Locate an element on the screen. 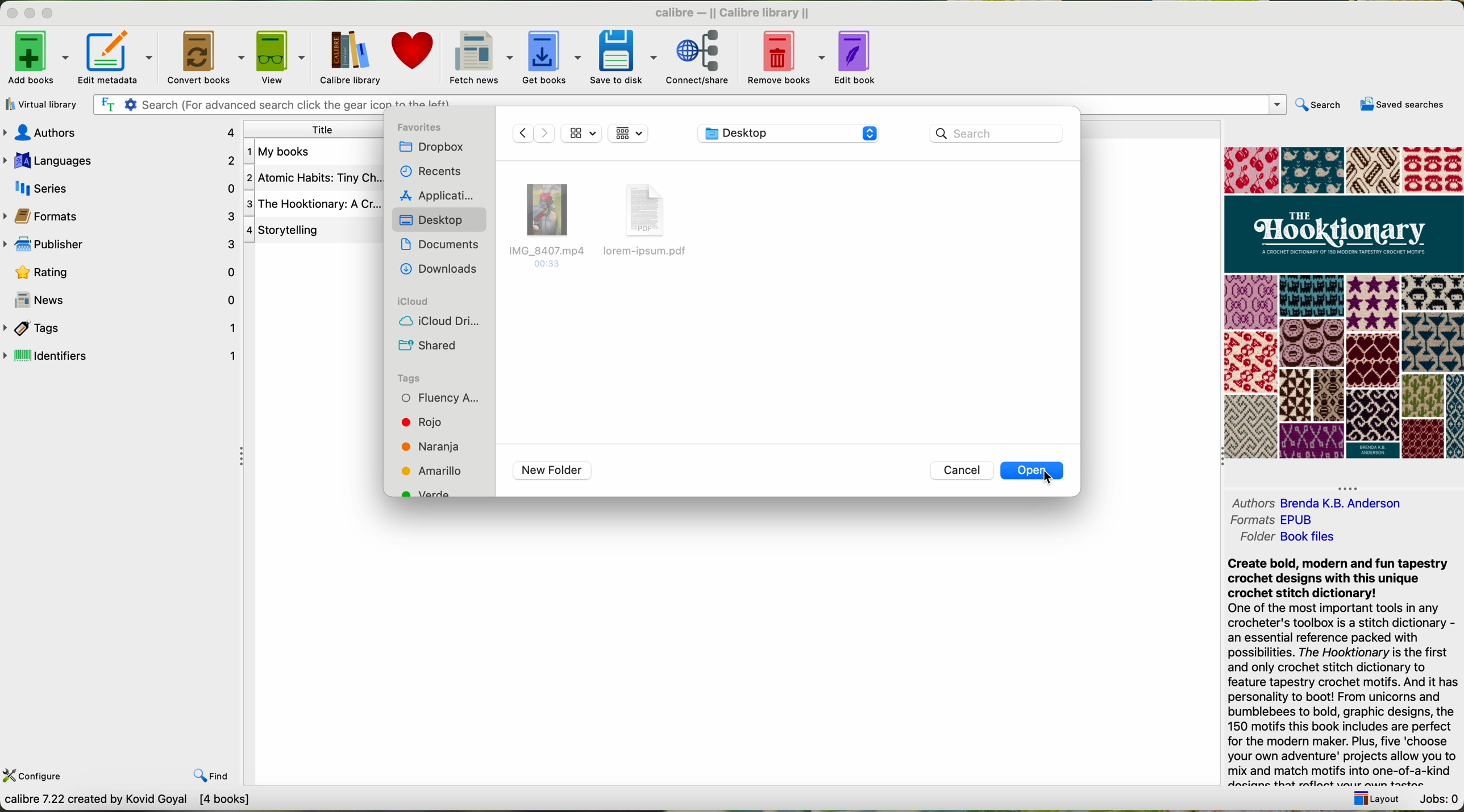  desktop is located at coordinates (435, 223).